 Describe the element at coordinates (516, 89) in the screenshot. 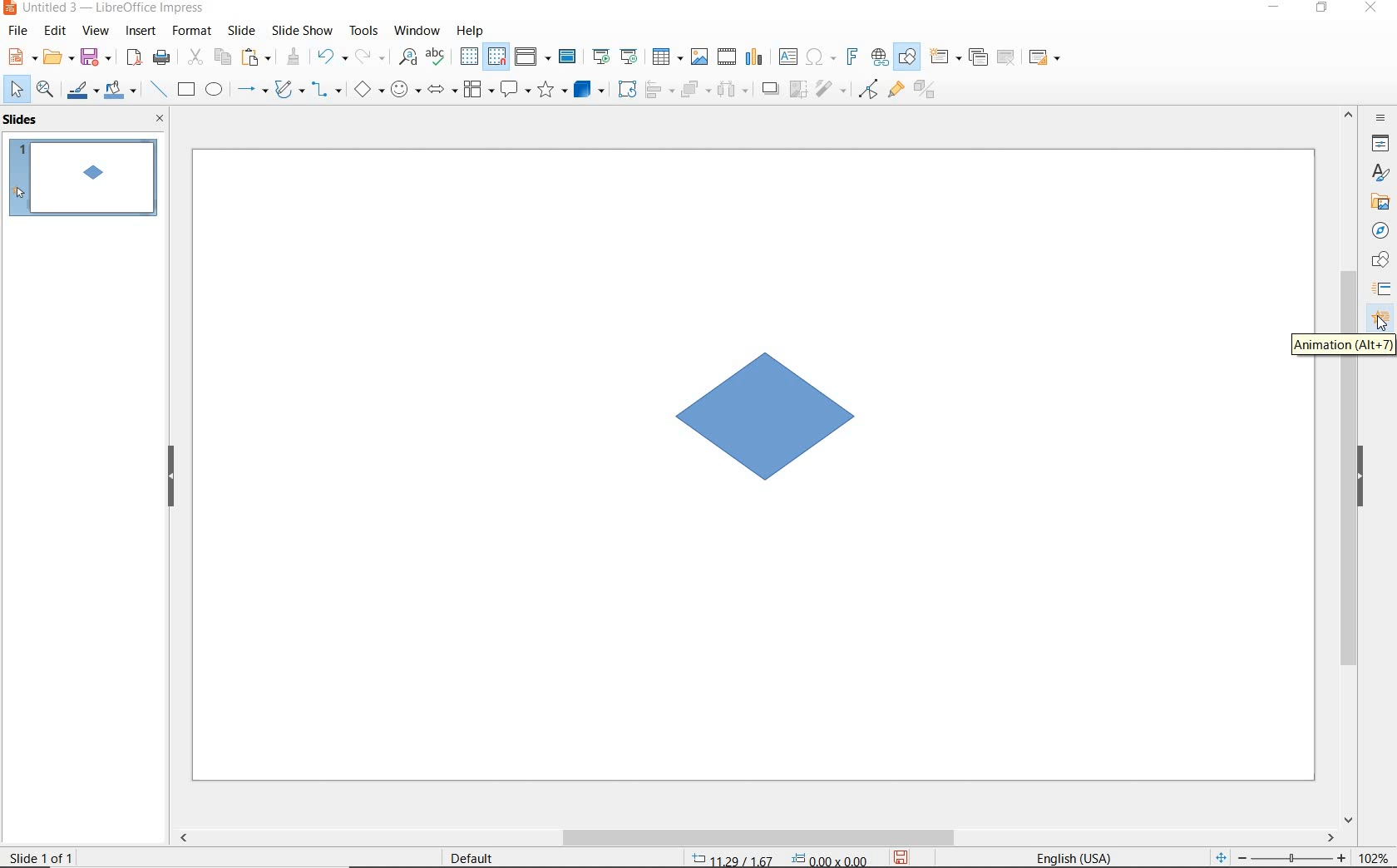

I see `callout shapes` at that location.